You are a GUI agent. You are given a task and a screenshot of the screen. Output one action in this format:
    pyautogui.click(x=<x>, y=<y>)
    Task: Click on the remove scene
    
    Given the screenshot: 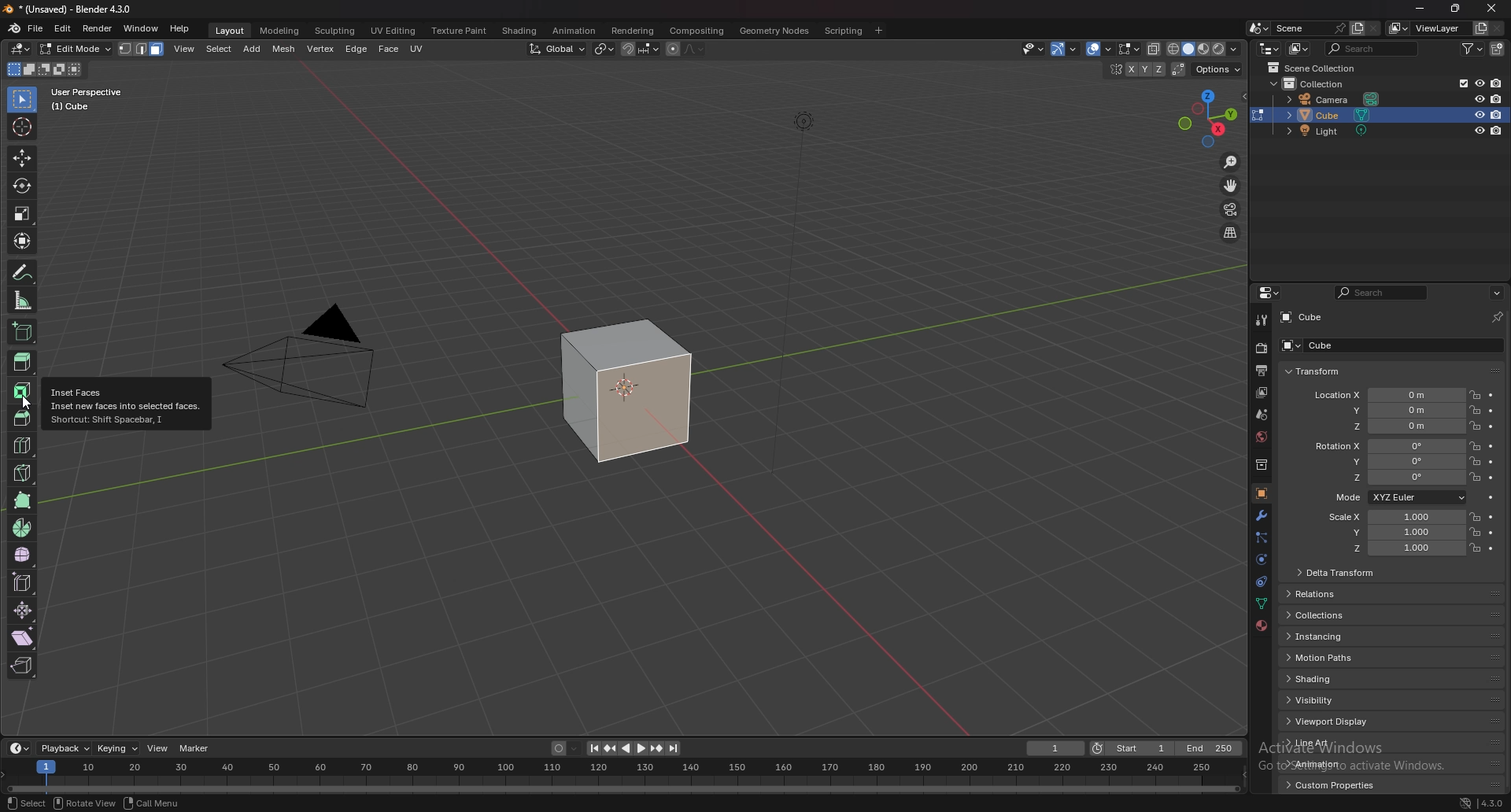 What is the action you would take?
    pyautogui.click(x=1373, y=28)
    